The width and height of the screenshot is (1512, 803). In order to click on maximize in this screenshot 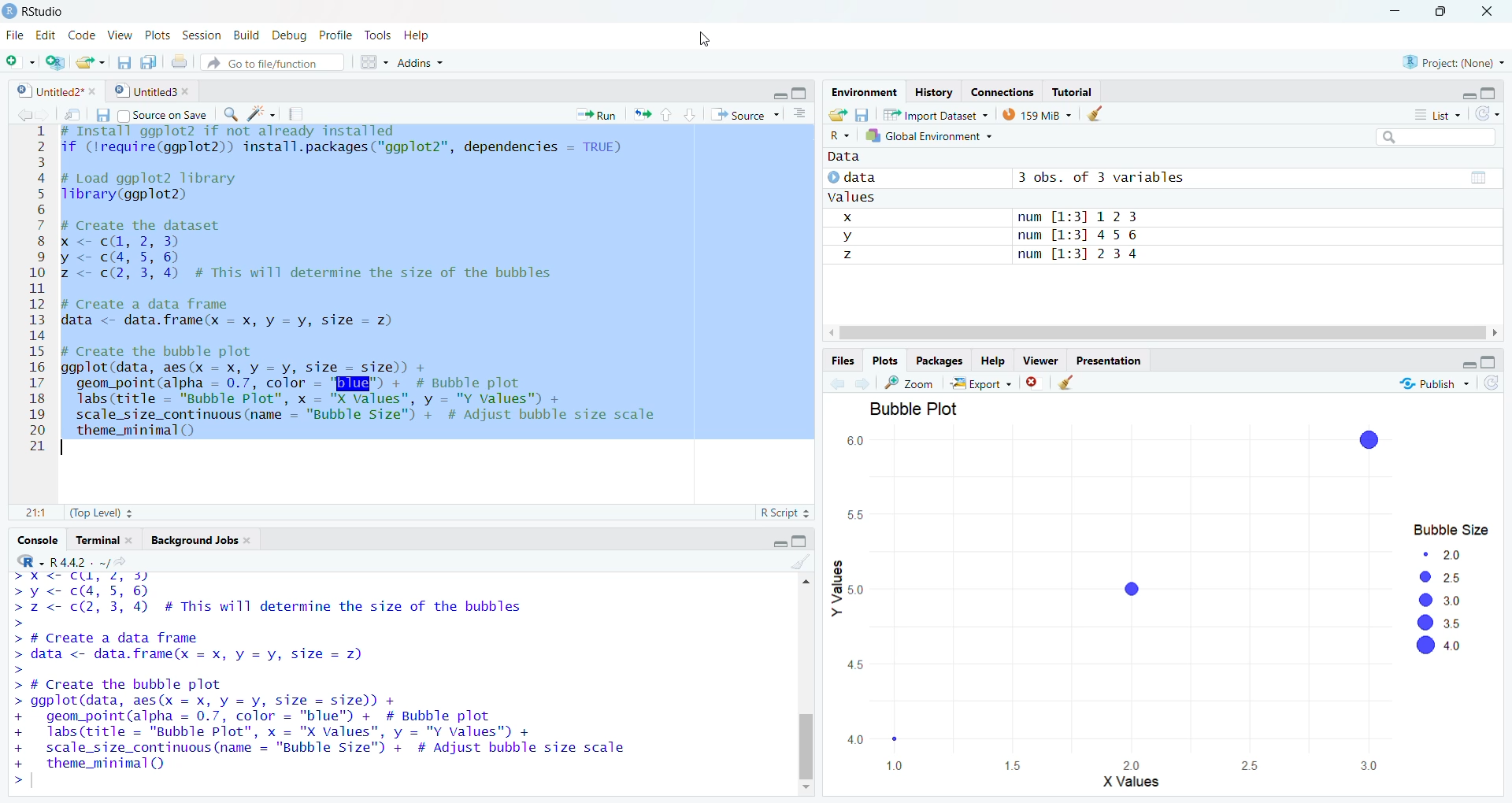, I will do `click(1444, 16)`.